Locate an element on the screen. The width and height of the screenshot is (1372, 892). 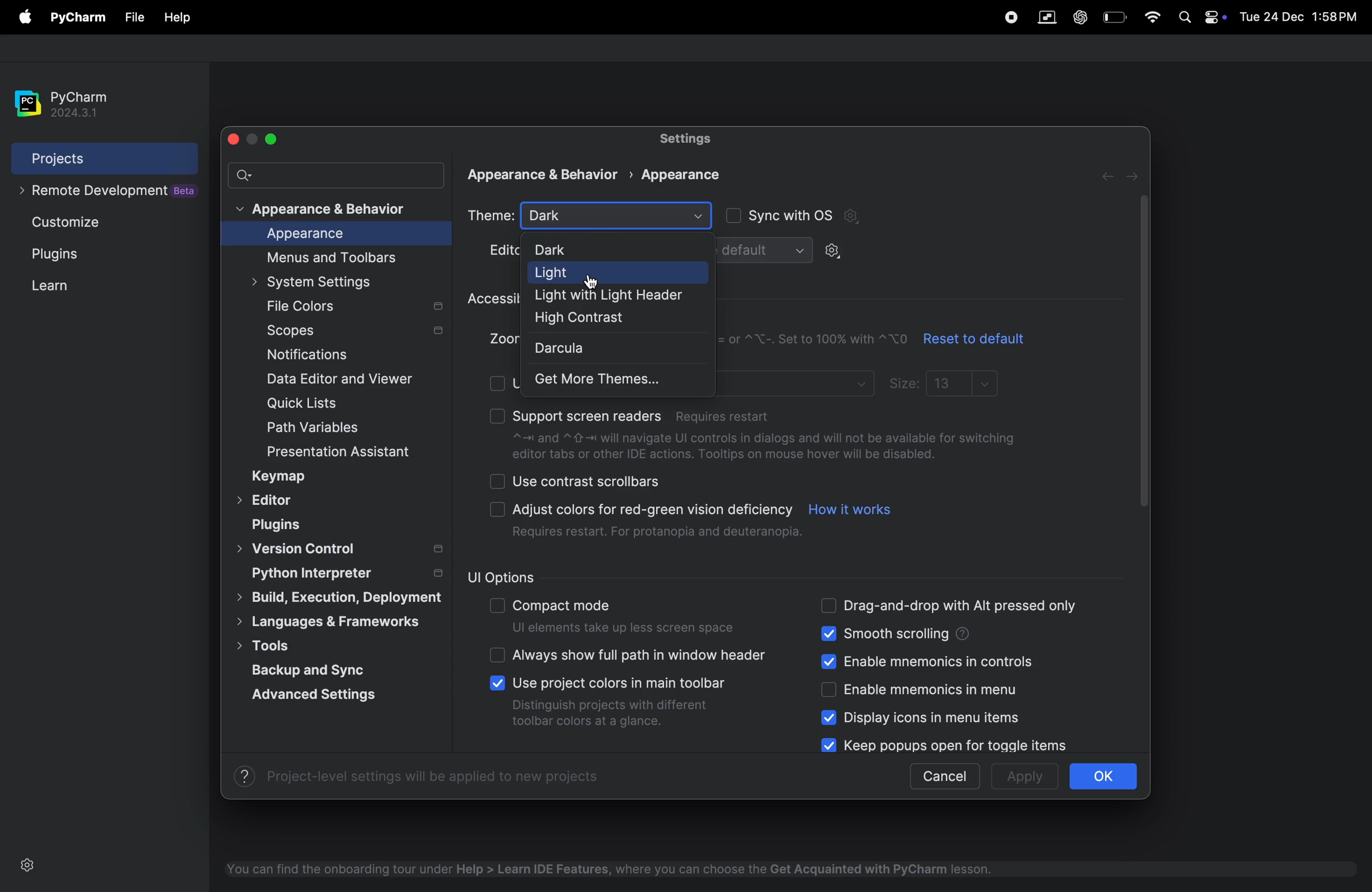
wifi is located at coordinates (1152, 19).